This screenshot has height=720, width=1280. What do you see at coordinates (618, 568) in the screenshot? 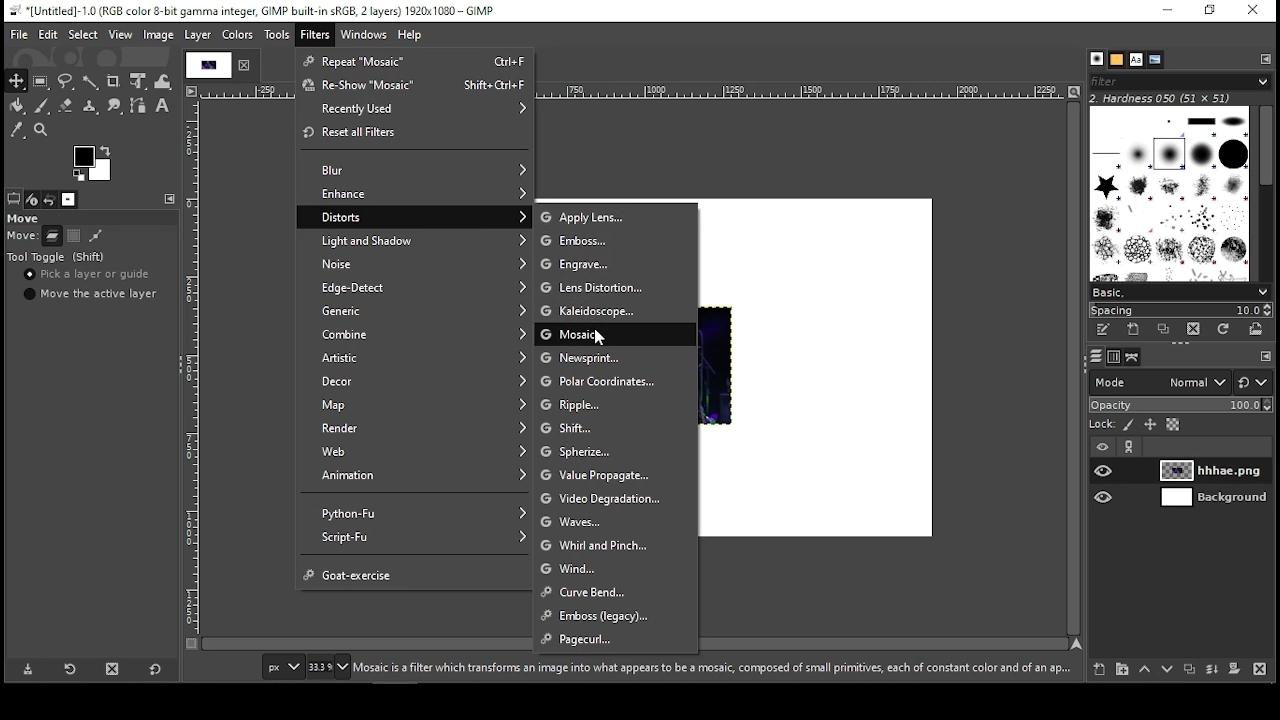
I see `wind` at bounding box center [618, 568].